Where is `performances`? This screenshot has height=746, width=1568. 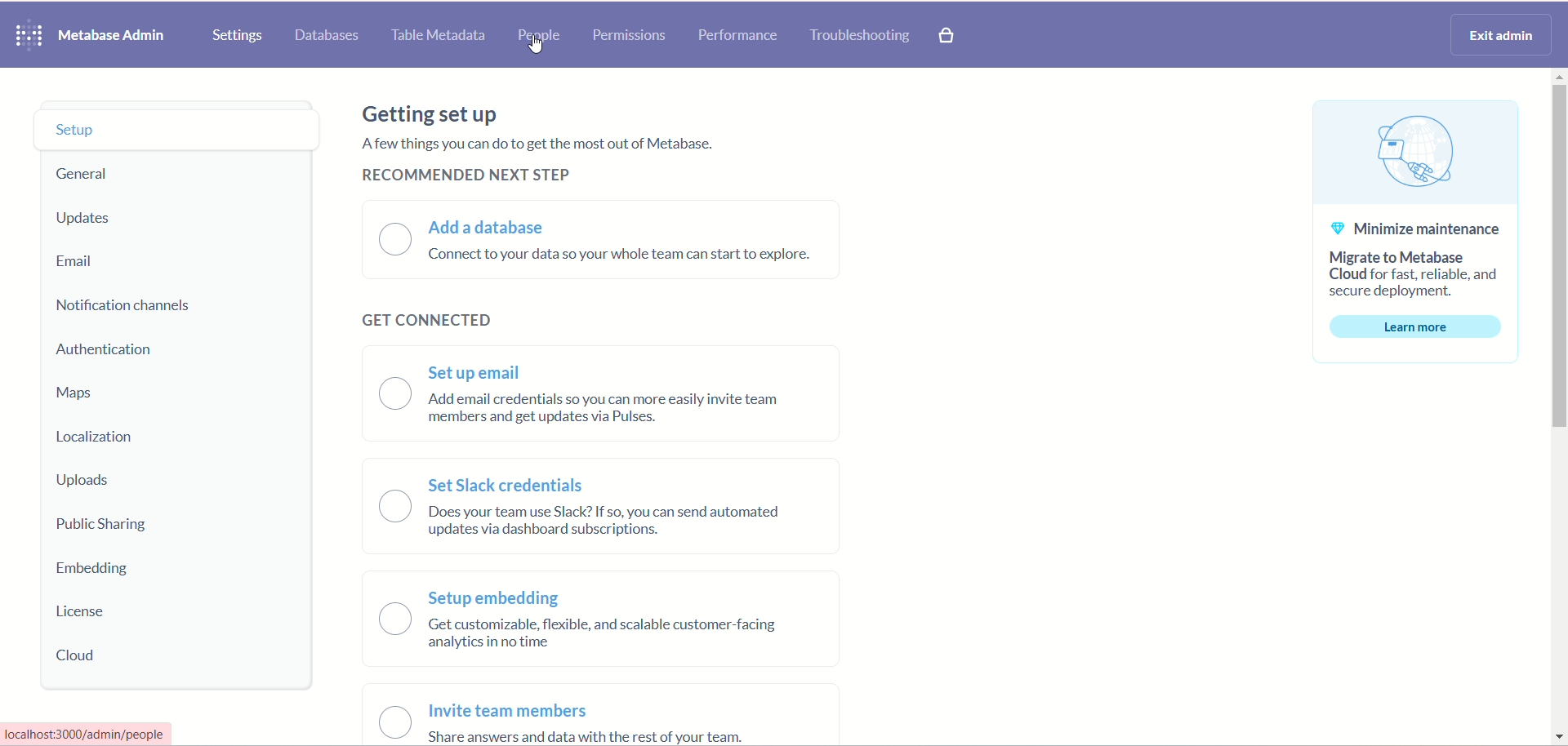 performances is located at coordinates (739, 36).